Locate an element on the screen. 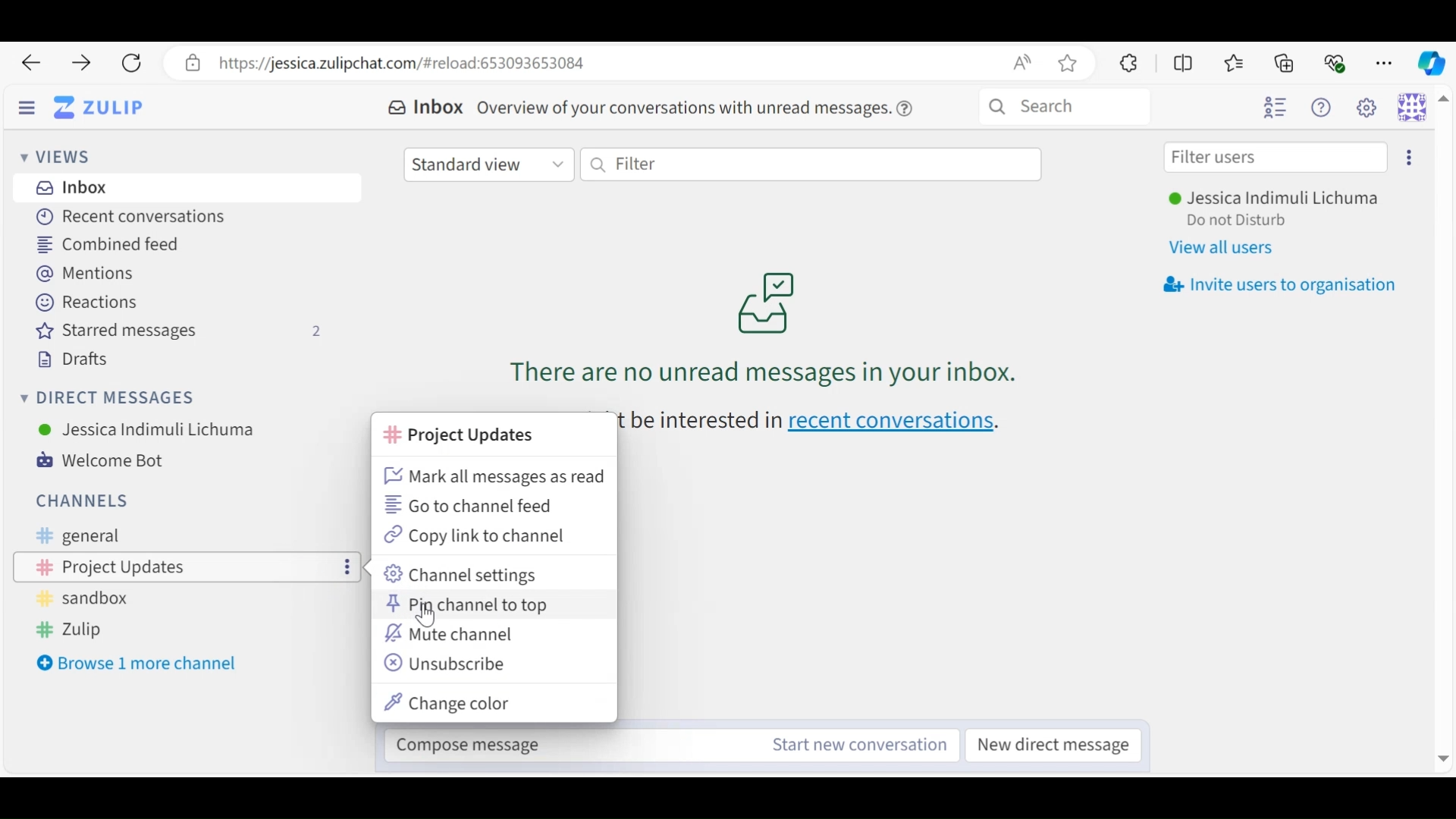 Image resolution: width=1456 pixels, height=819 pixels. Down is located at coordinates (1439, 754).